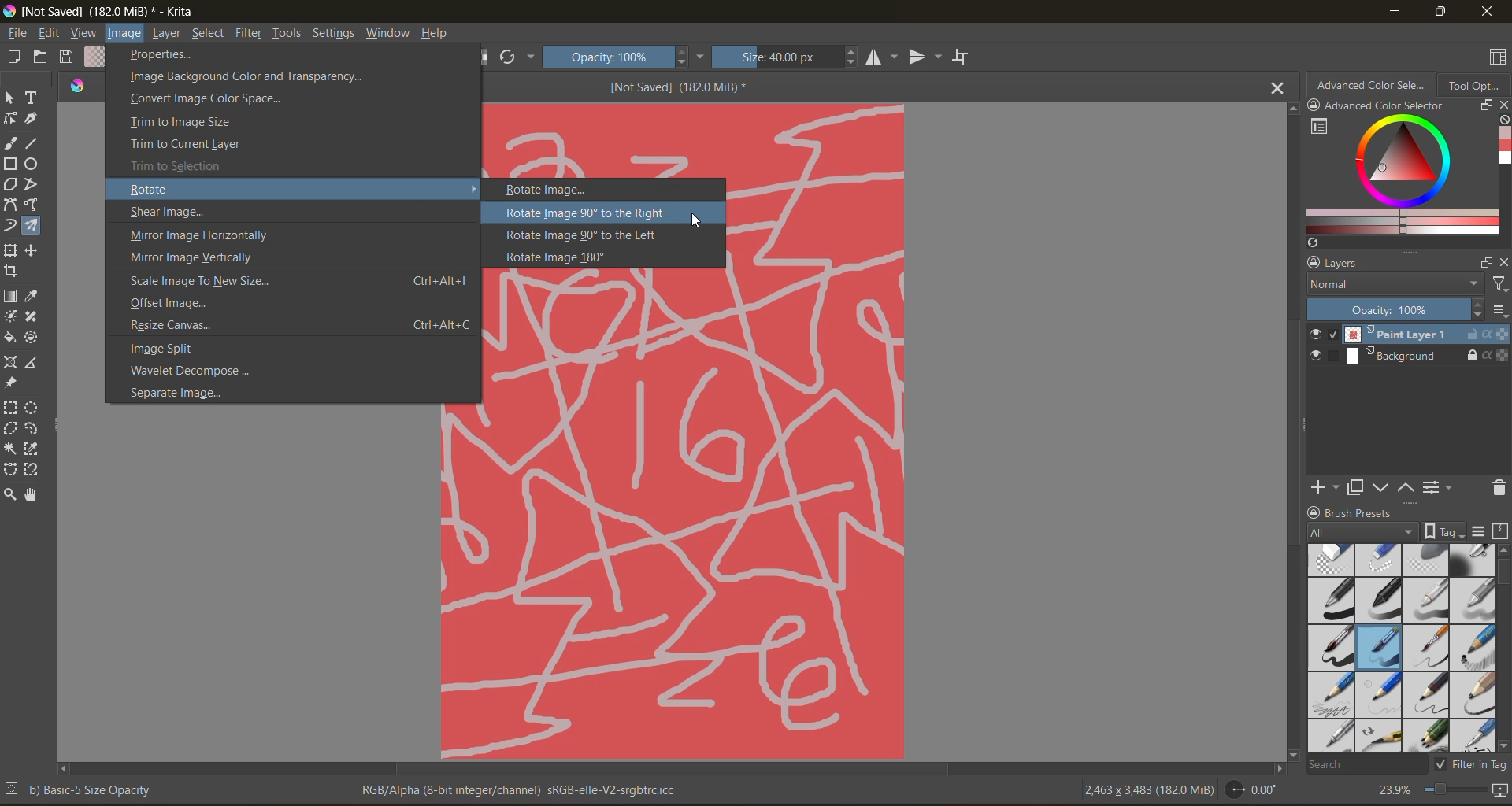 The height and width of the screenshot is (806, 1512). What do you see at coordinates (1484, 262) in the screenshot?
I see `float docker` at bounding box center [1484, 262].